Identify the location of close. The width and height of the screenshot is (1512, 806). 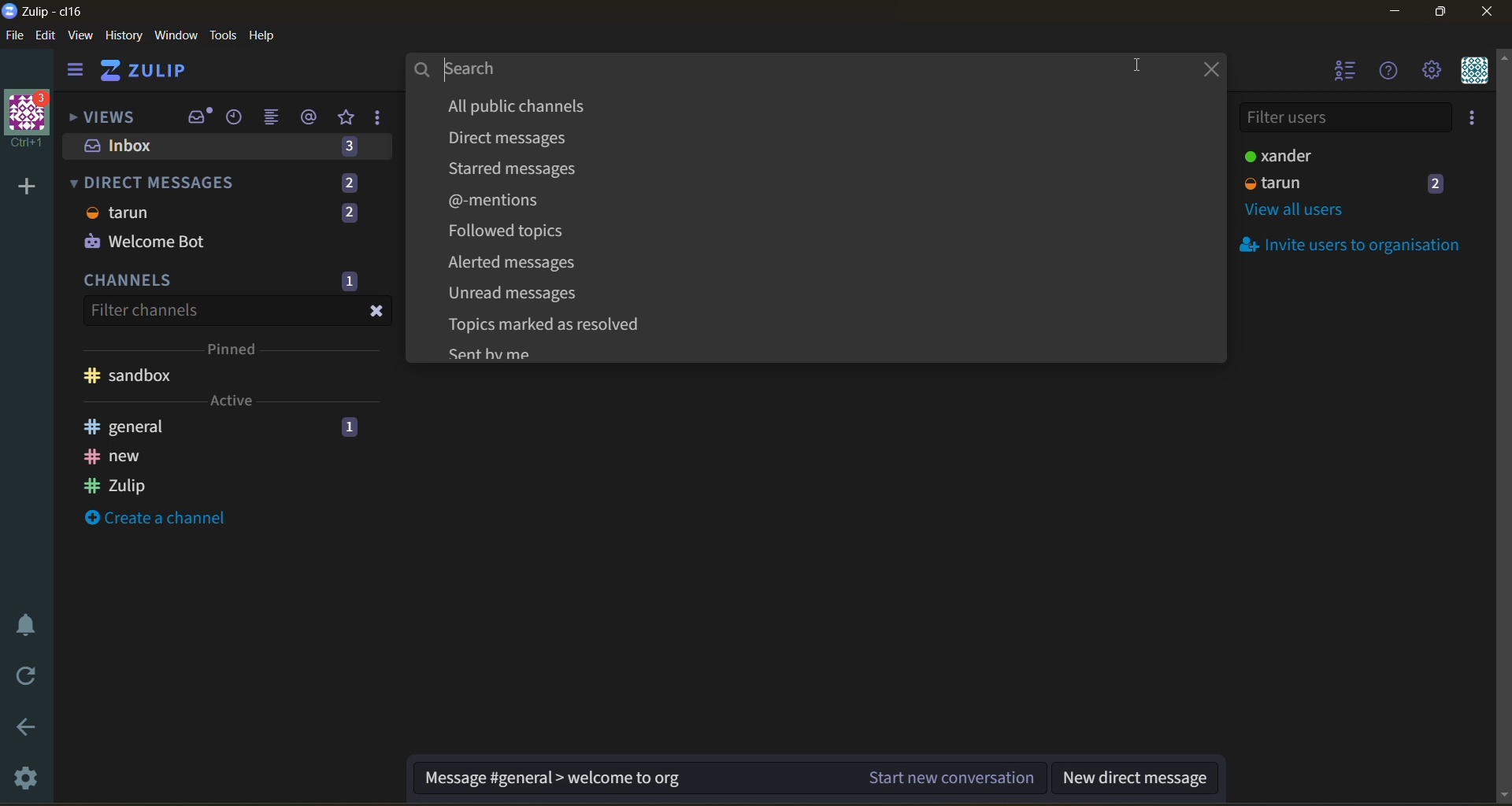
(1489, 12).